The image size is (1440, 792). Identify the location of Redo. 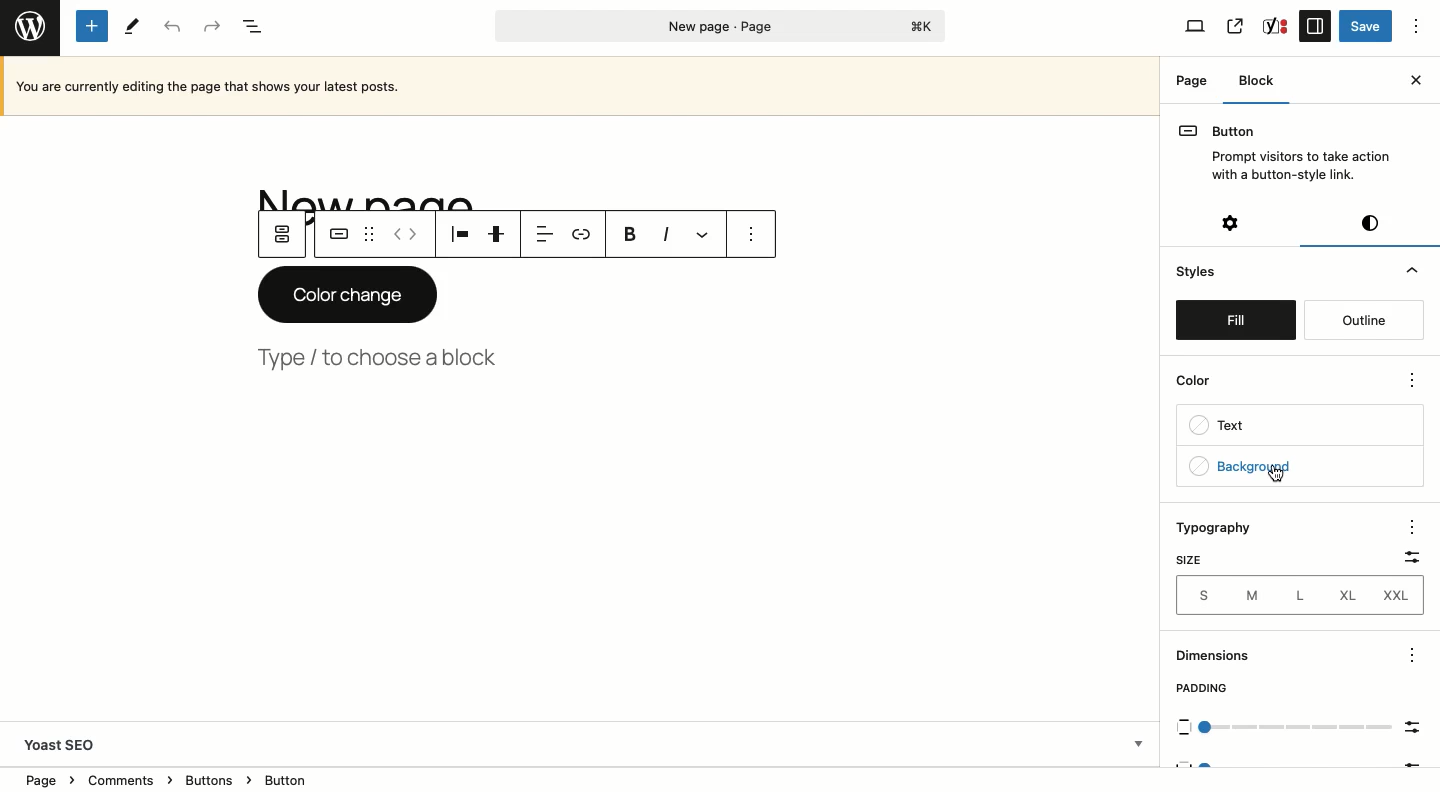
(210, 27).